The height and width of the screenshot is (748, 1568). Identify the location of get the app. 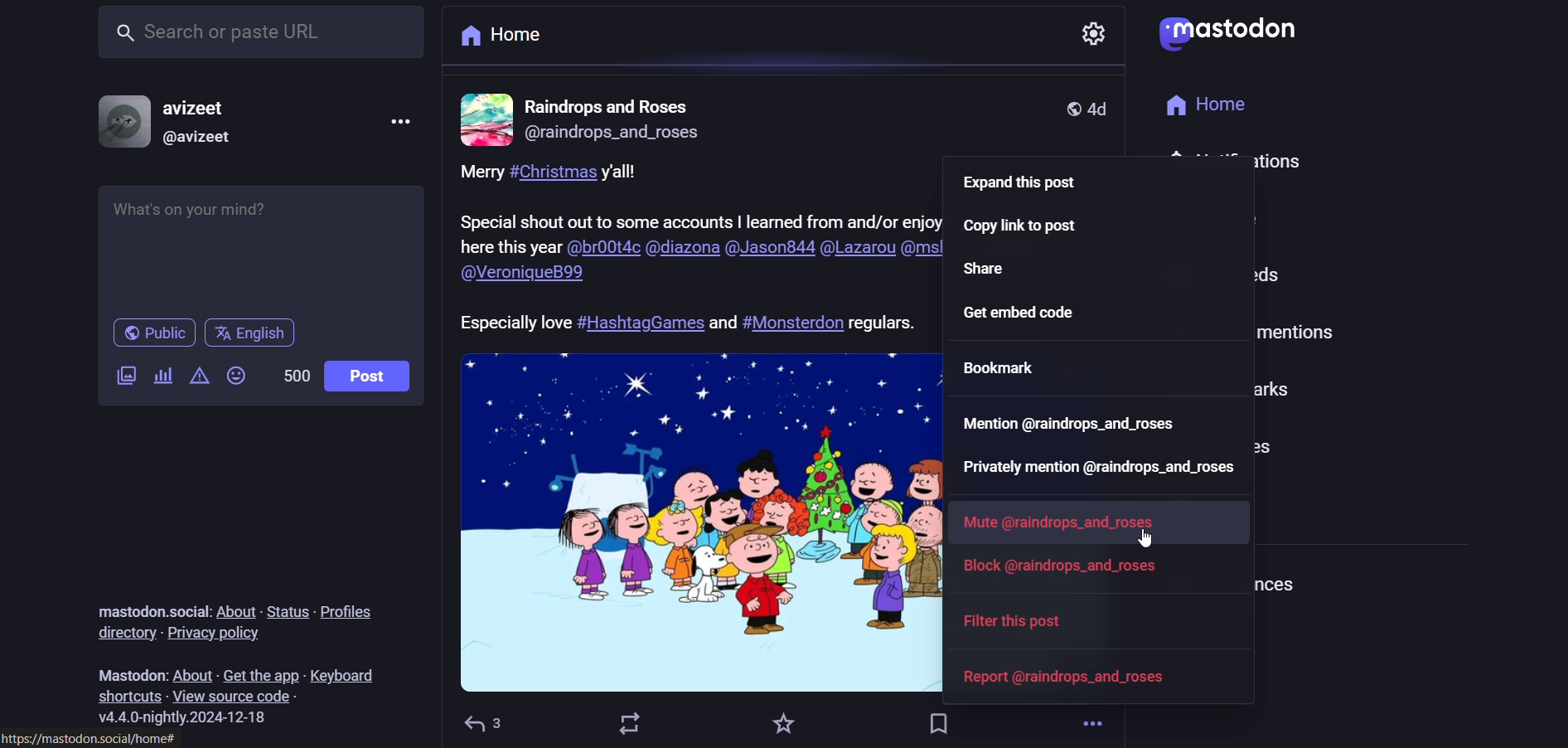
(259, 669).